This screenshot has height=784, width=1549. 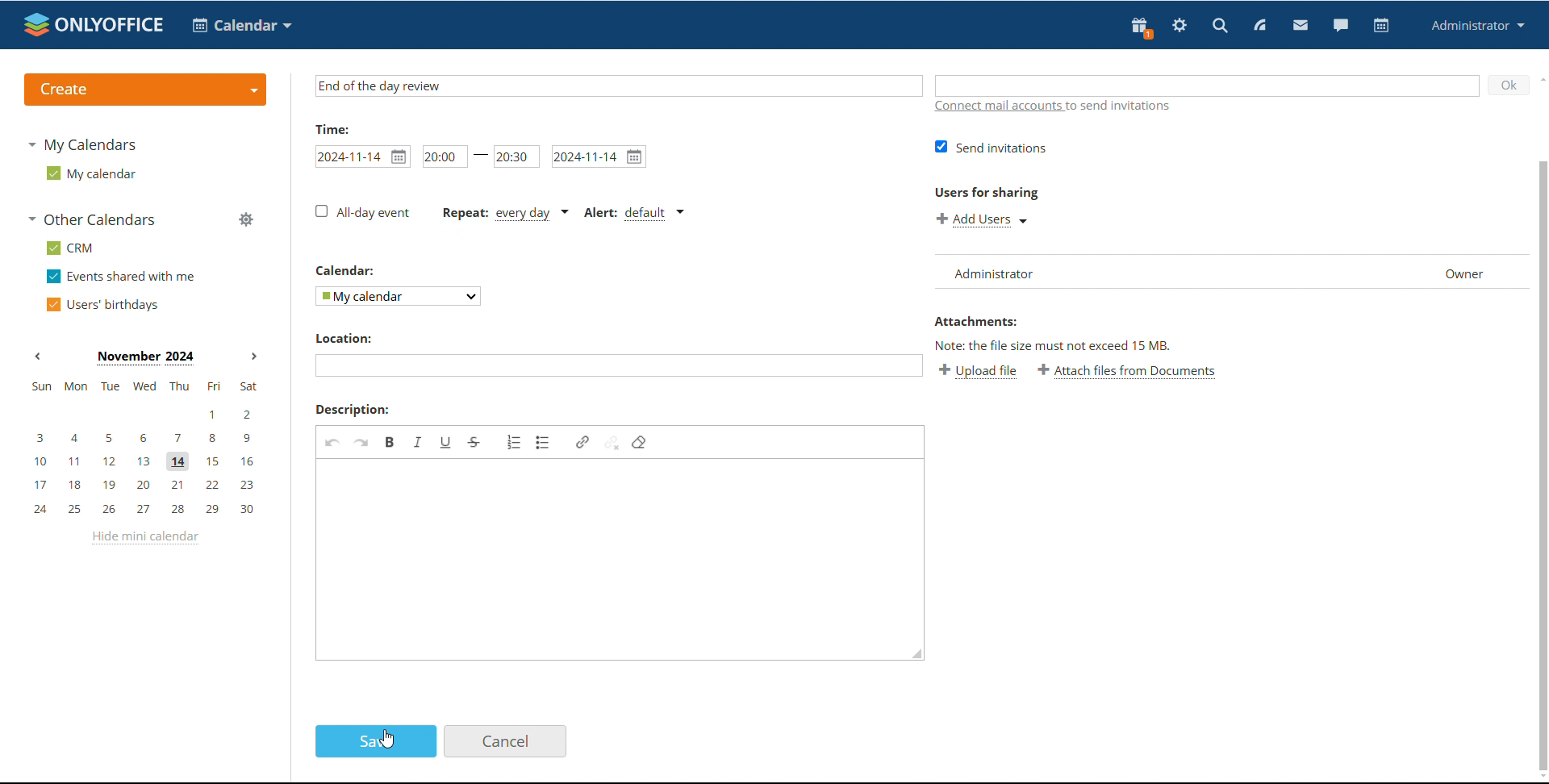 I want to click on Attach file from documents, so click(x=1128, y=373).